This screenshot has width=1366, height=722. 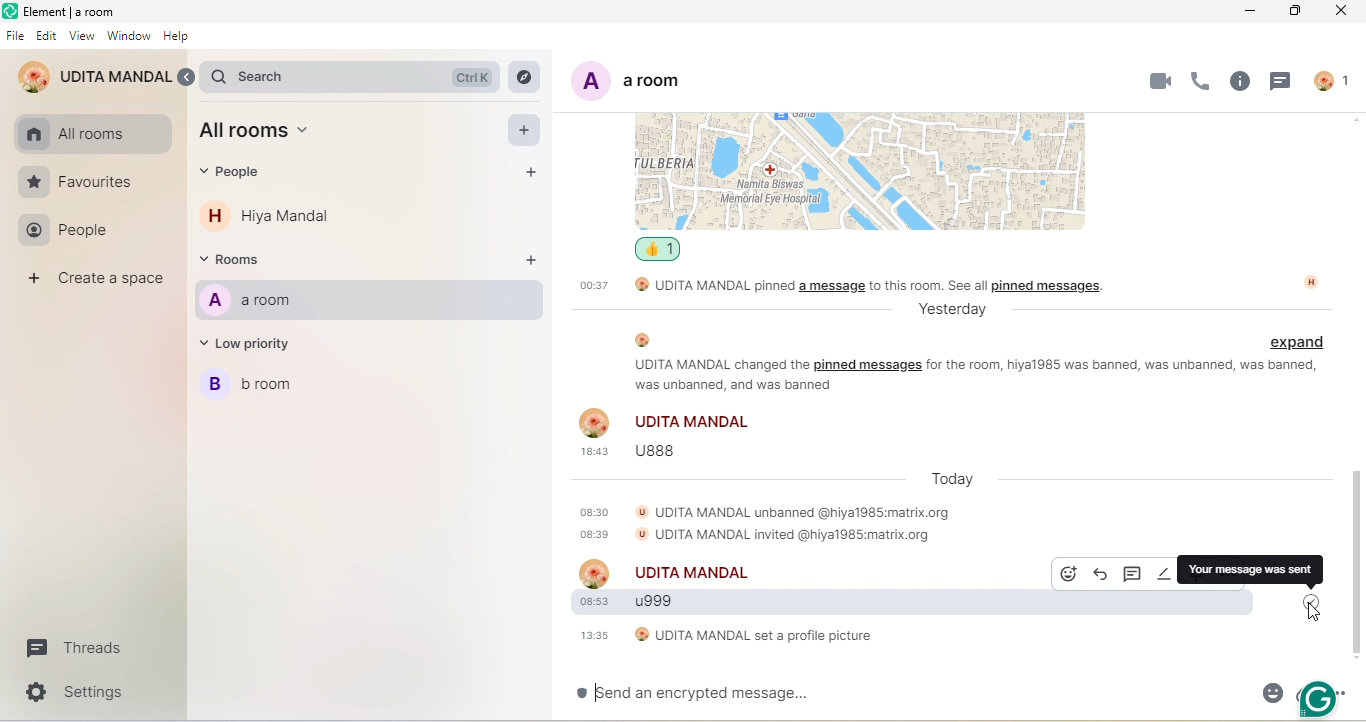 What do you see at coordinates (1104, 574) in the screenshot?
I see `Message forward` at bounding box center [1104, 574].